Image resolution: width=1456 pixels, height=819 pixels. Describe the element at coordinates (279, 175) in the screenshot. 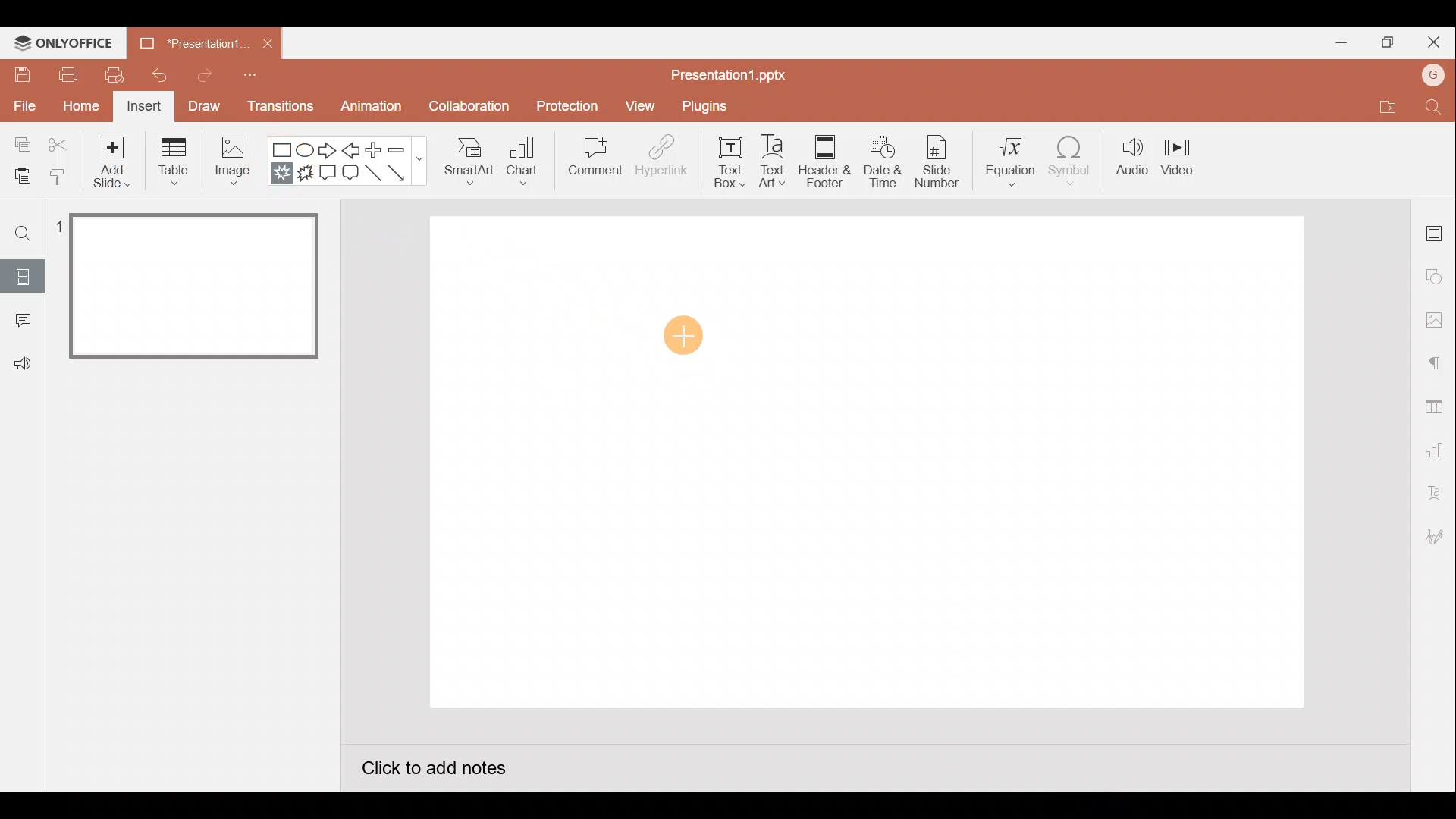

I see `Explosion 1` at that location.